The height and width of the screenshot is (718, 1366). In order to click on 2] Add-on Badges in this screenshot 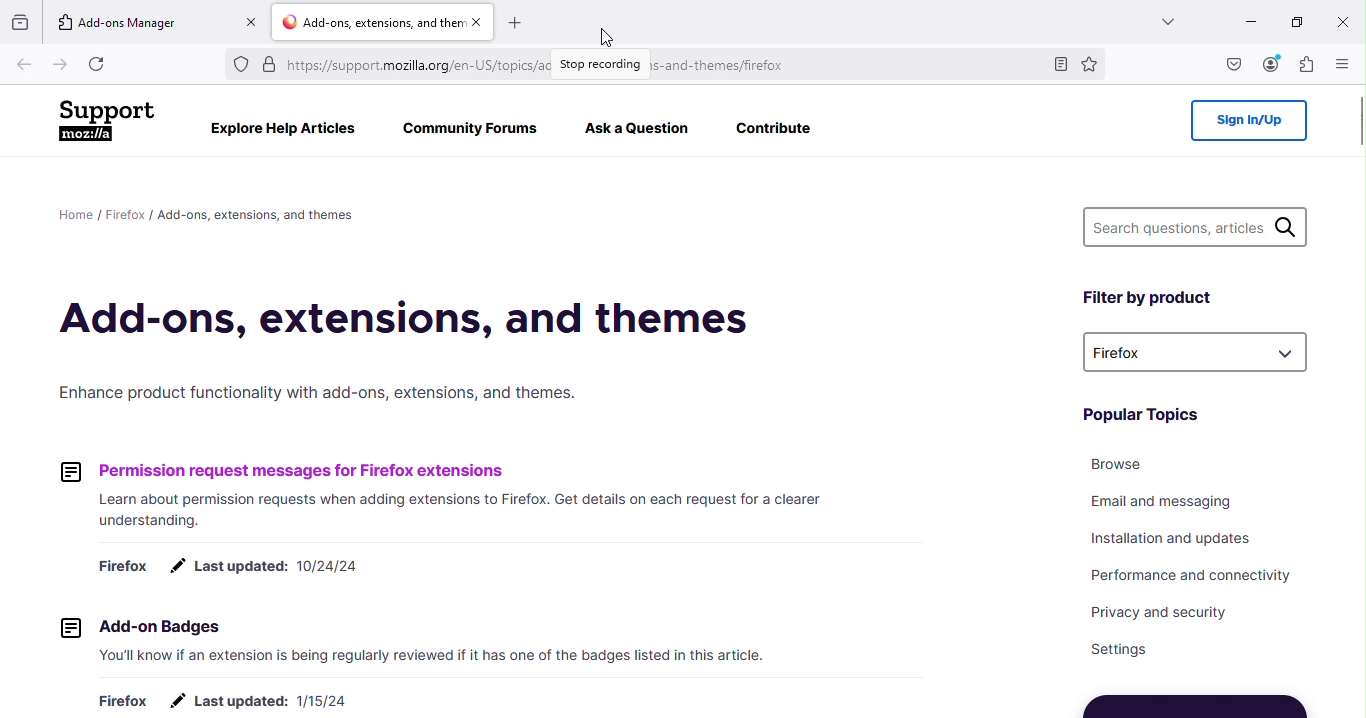, I will do `click(165, 622)`.